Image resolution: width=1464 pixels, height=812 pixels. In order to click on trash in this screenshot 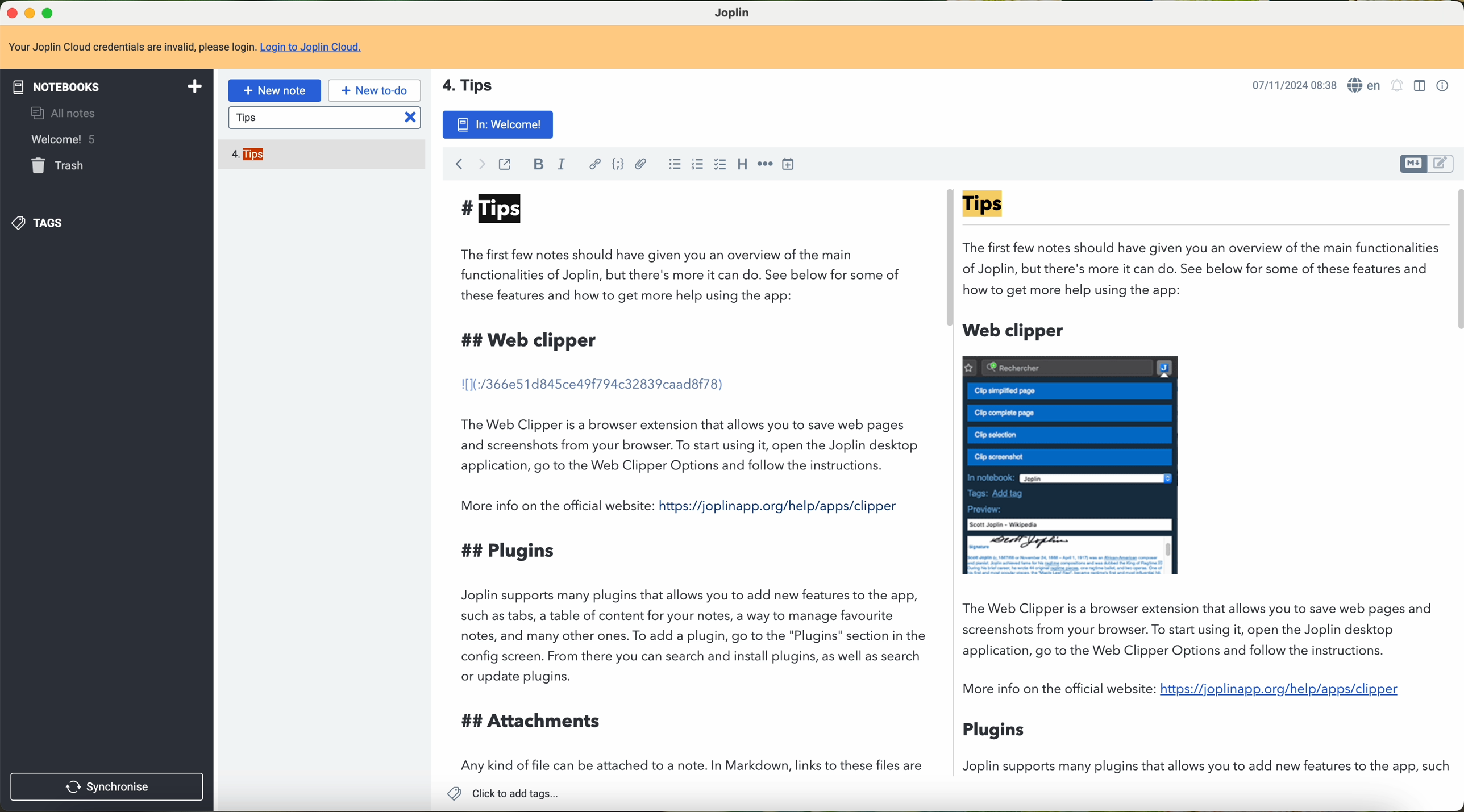, I will do `click(59, 165)`.